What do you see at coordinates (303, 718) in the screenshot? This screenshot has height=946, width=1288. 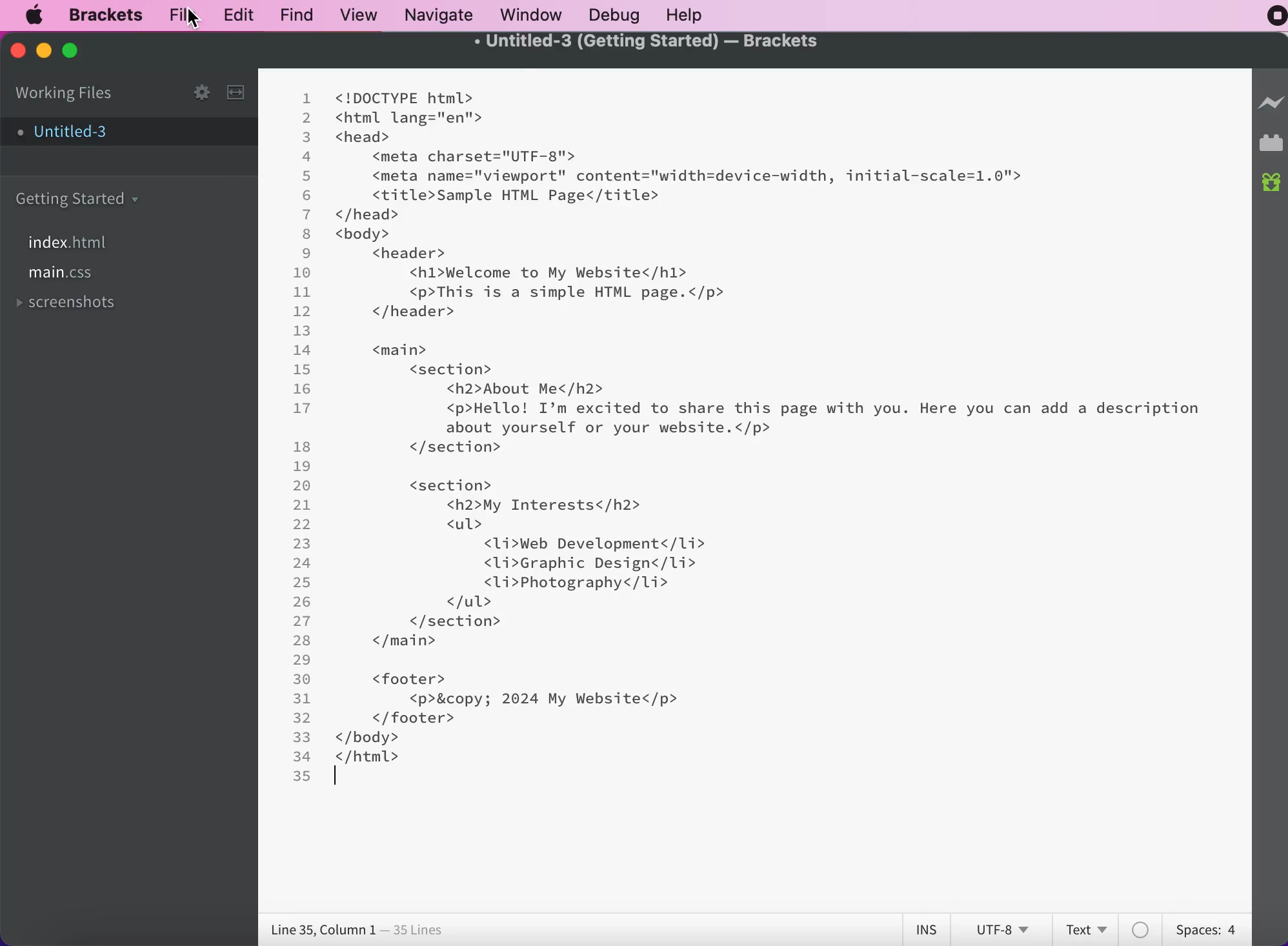 I see `32` at bounding box center [303, 718].